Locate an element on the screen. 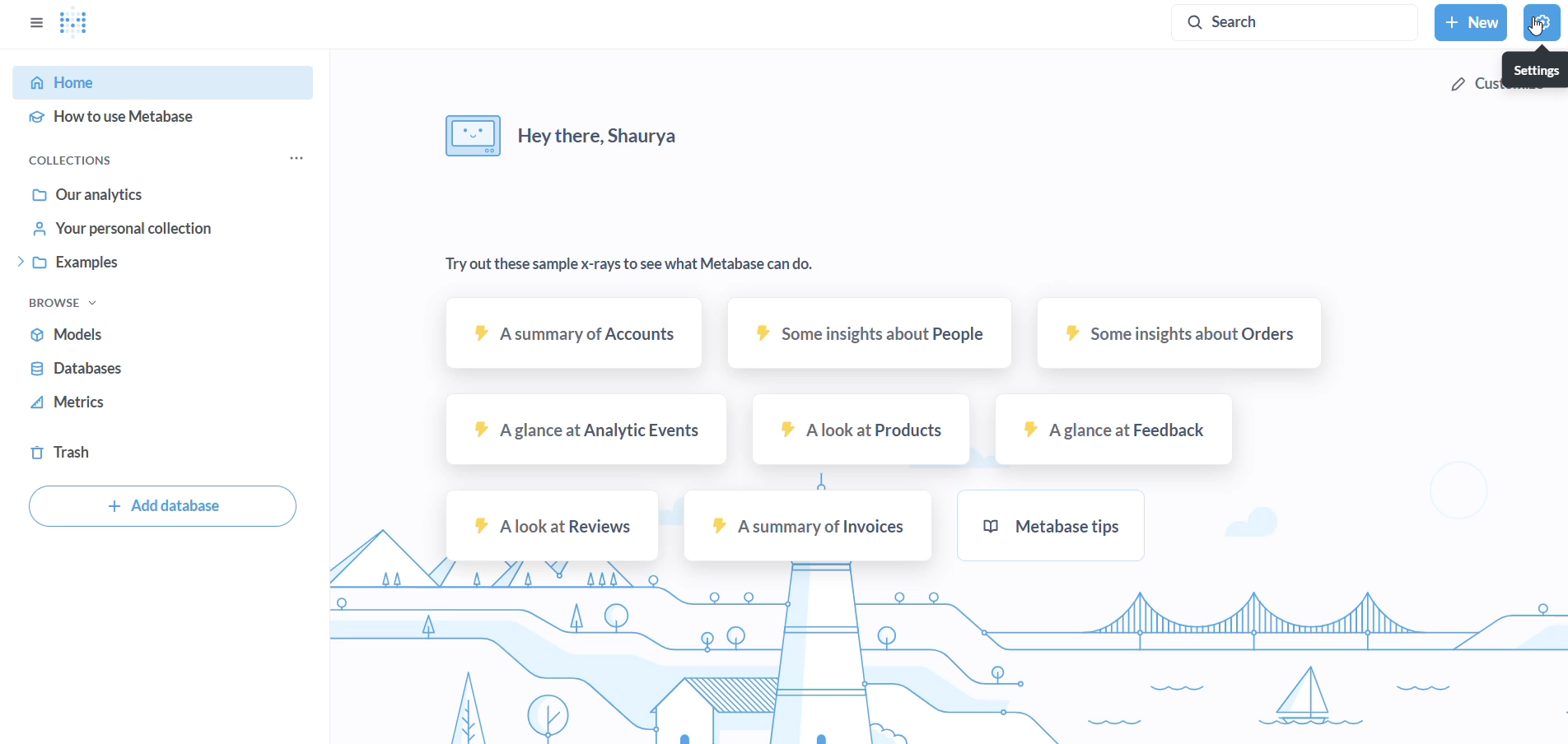  TO Trash is located at coordinates (70, 453).